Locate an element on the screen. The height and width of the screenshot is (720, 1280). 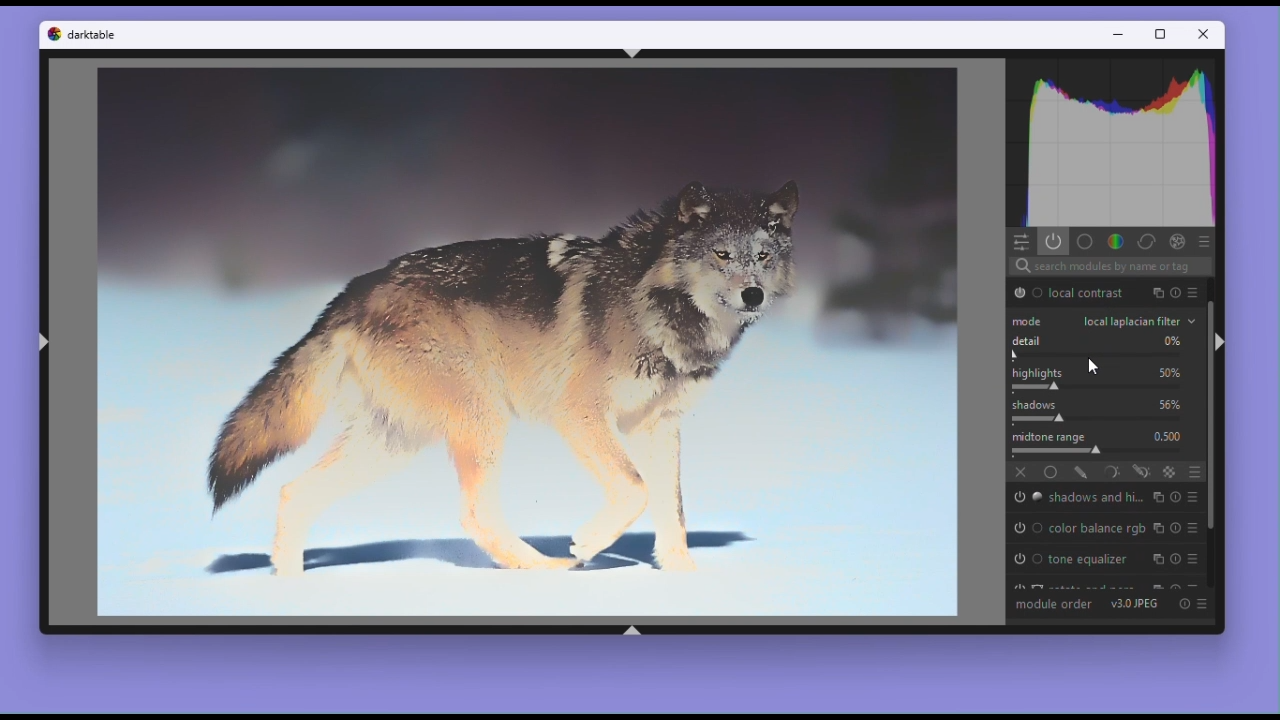
show only active modules is located at coordinates (1055, 242).